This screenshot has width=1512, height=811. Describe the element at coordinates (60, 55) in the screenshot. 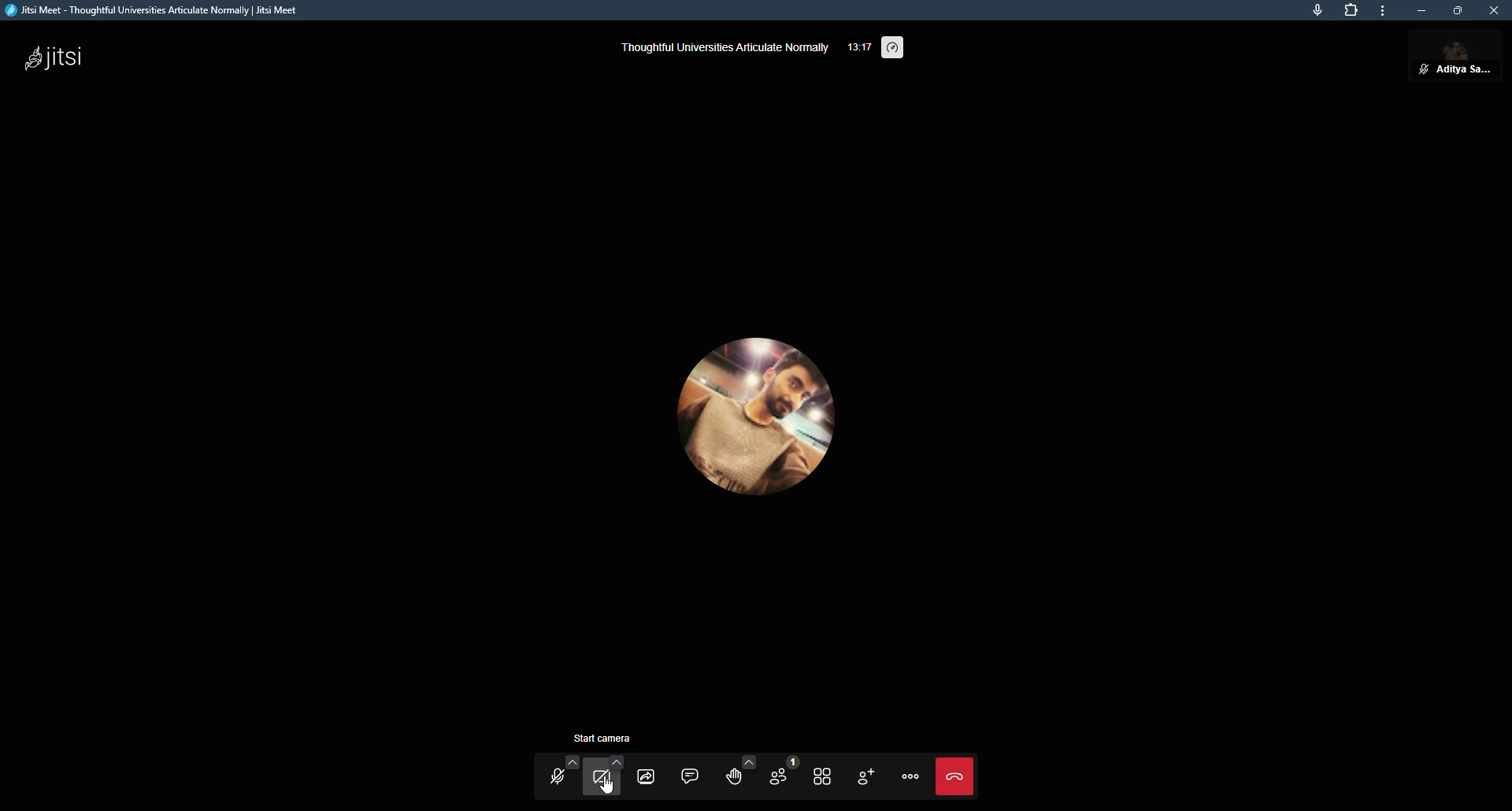

I see `jitsi` at that location.